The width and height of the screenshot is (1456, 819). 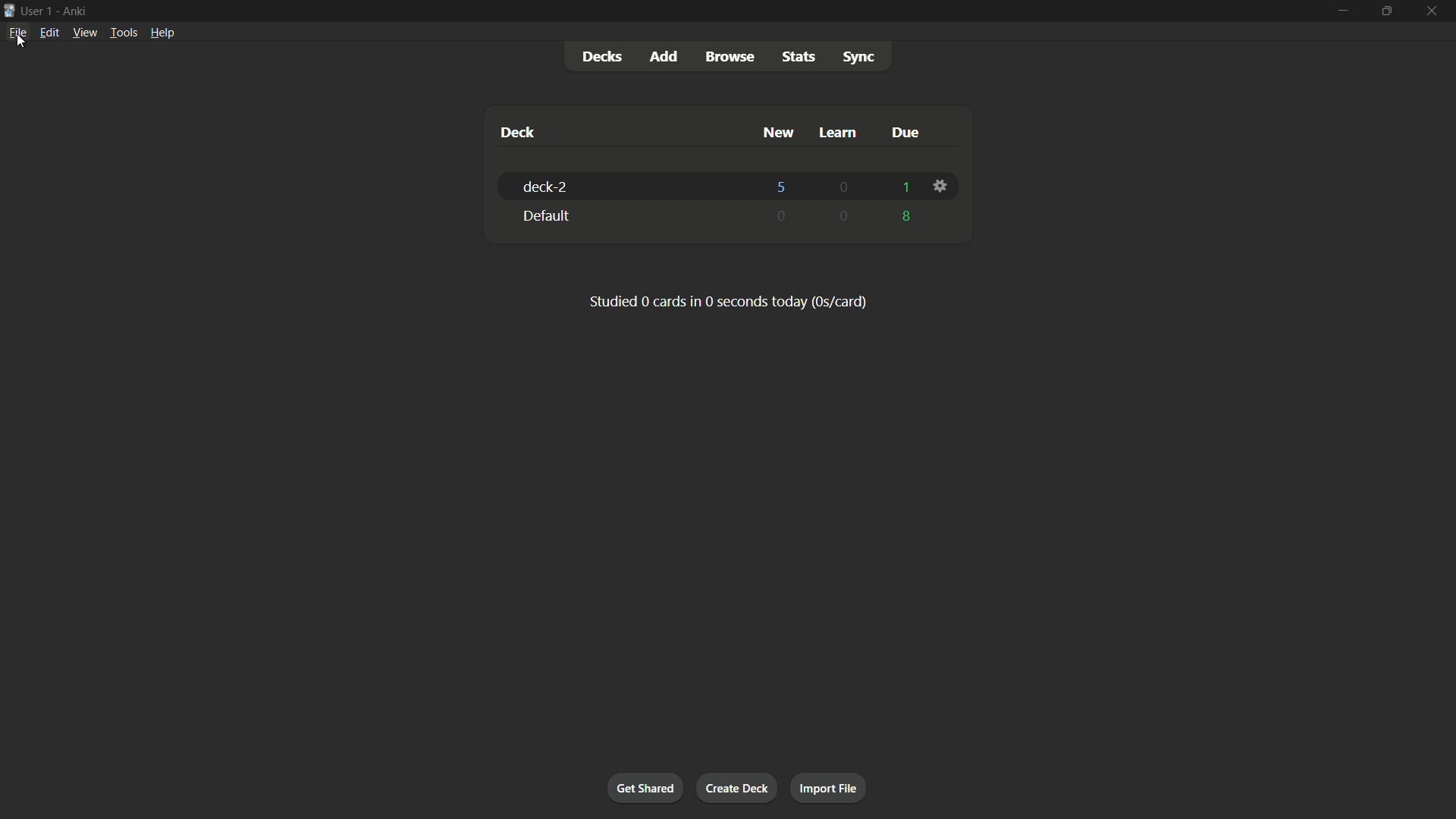 What do you see at coordinates (732, 57) in the screenshot?
I see `Browse` at bounding box center [732, 57].